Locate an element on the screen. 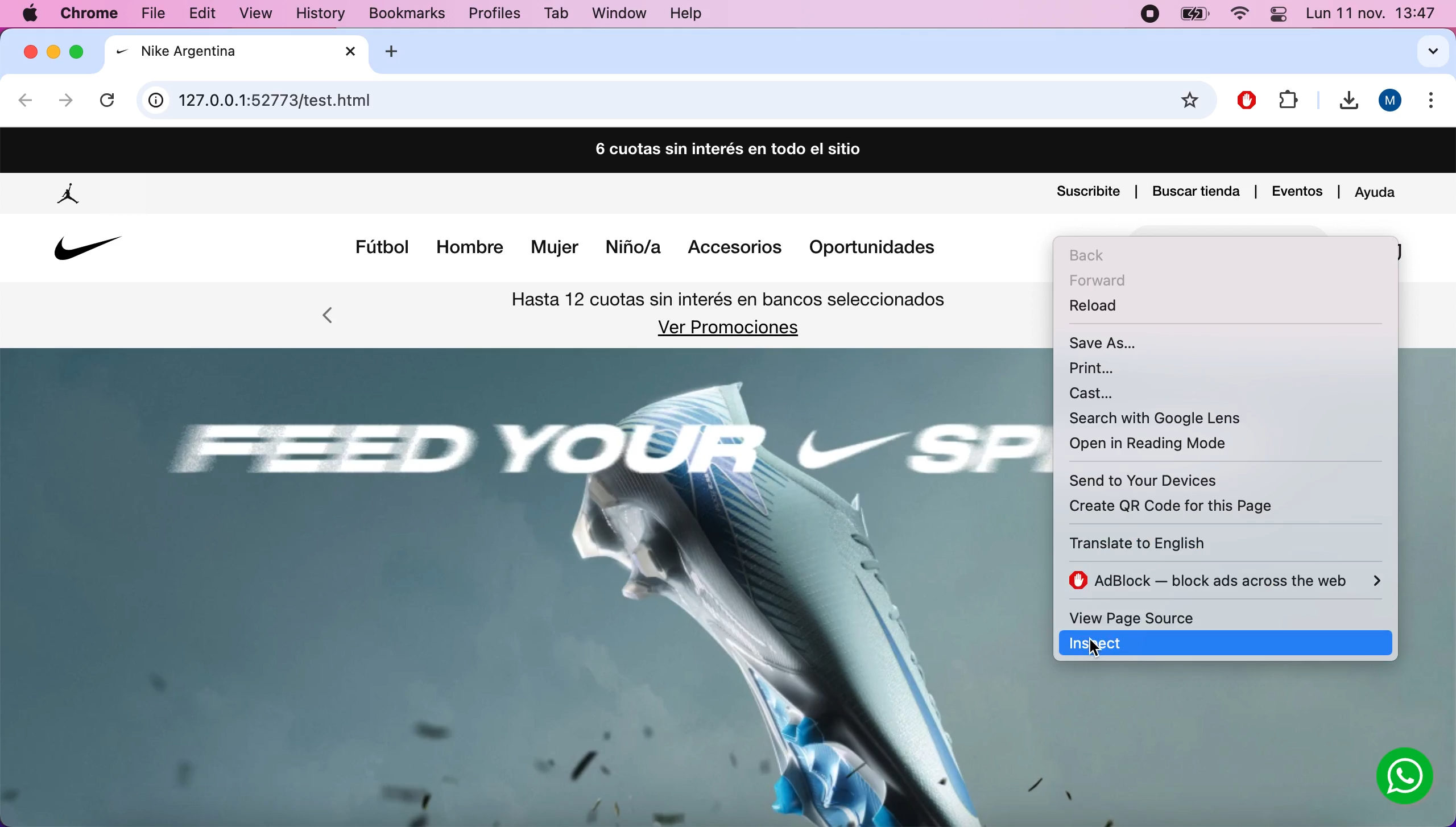 This screenshot has height=827, width=1456. close is located at coordinates (30, 51).